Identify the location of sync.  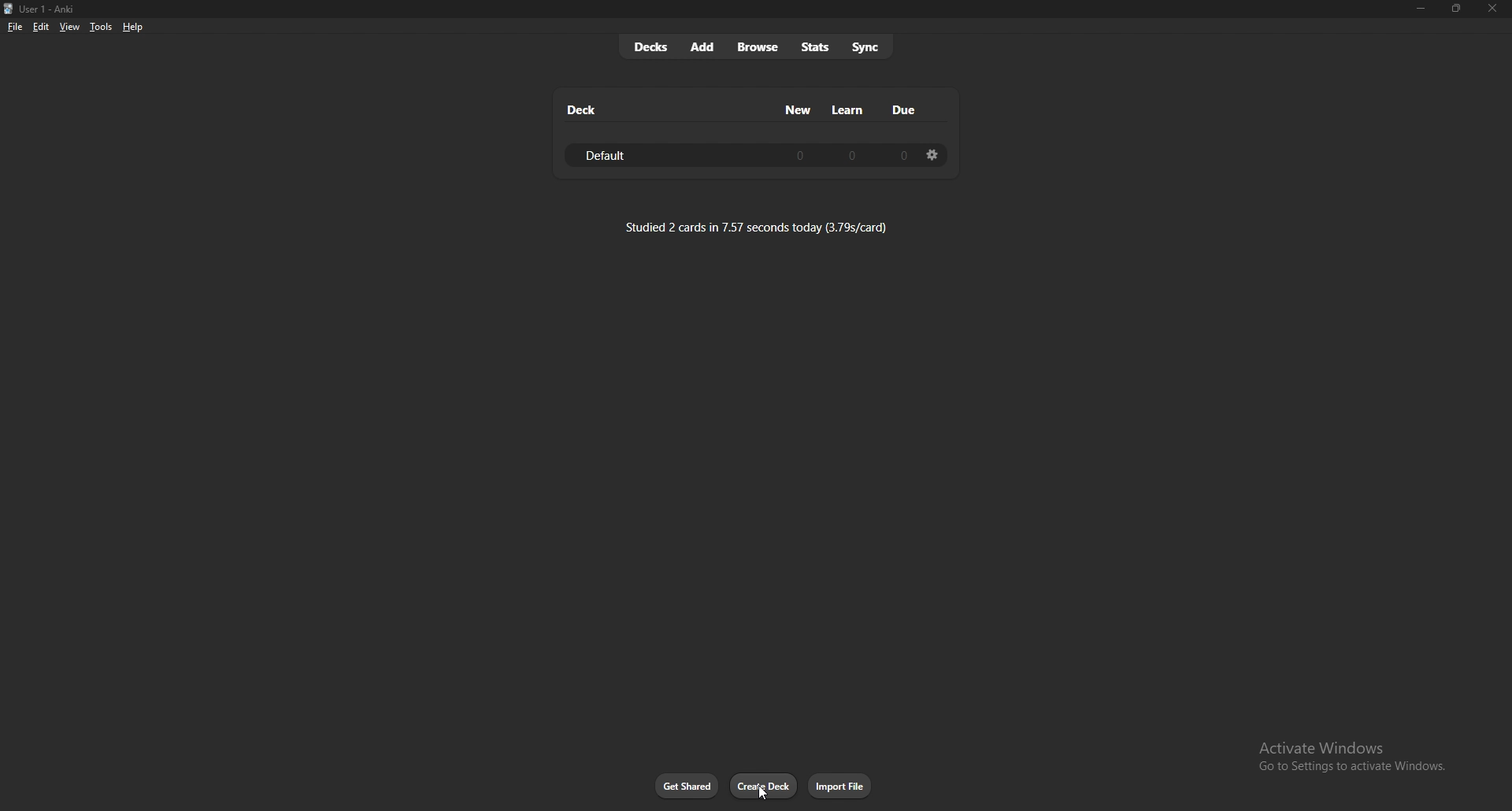
(867, 46).